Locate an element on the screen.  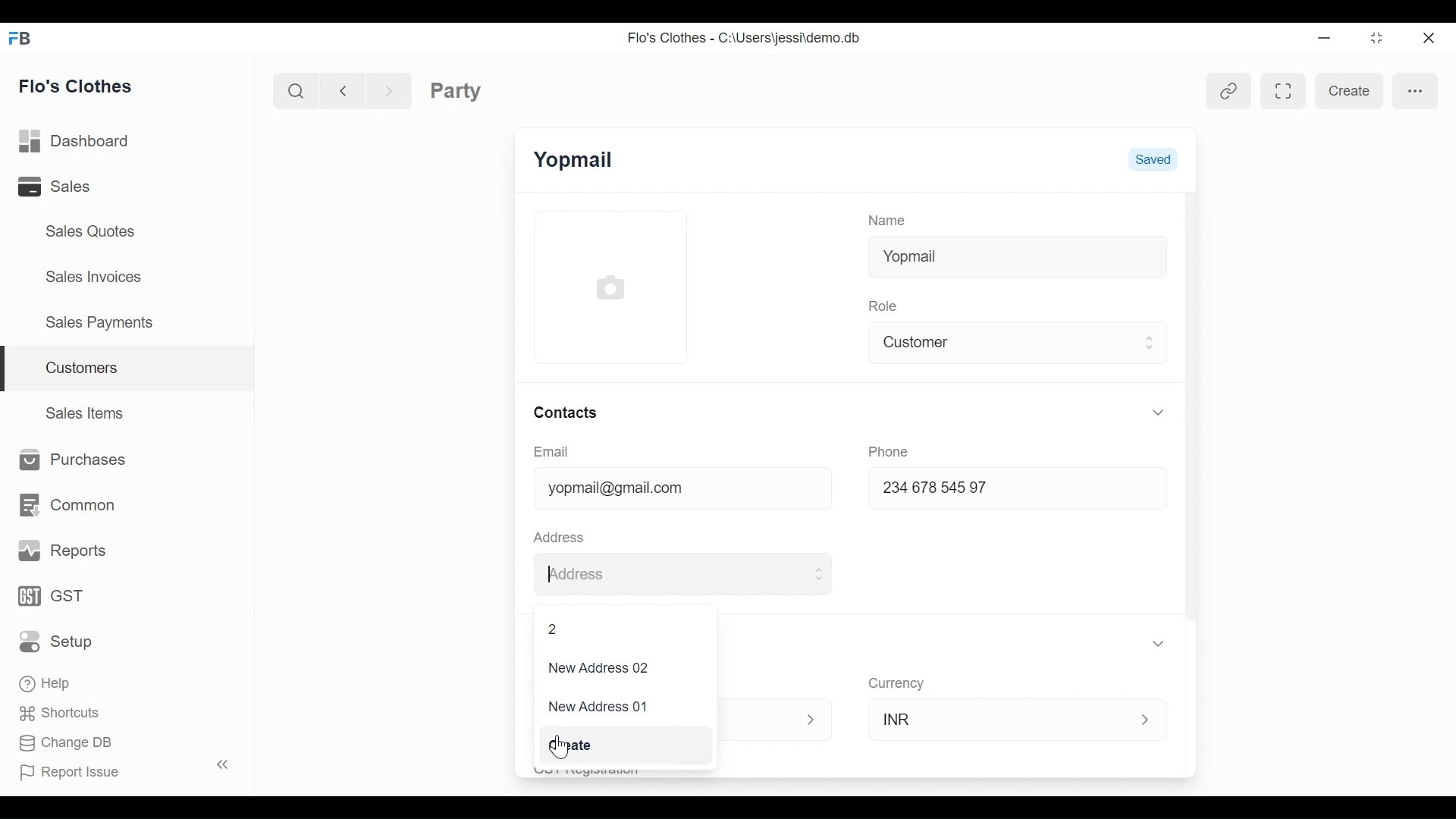
View linked entries is located at coordinates (1225, 91).